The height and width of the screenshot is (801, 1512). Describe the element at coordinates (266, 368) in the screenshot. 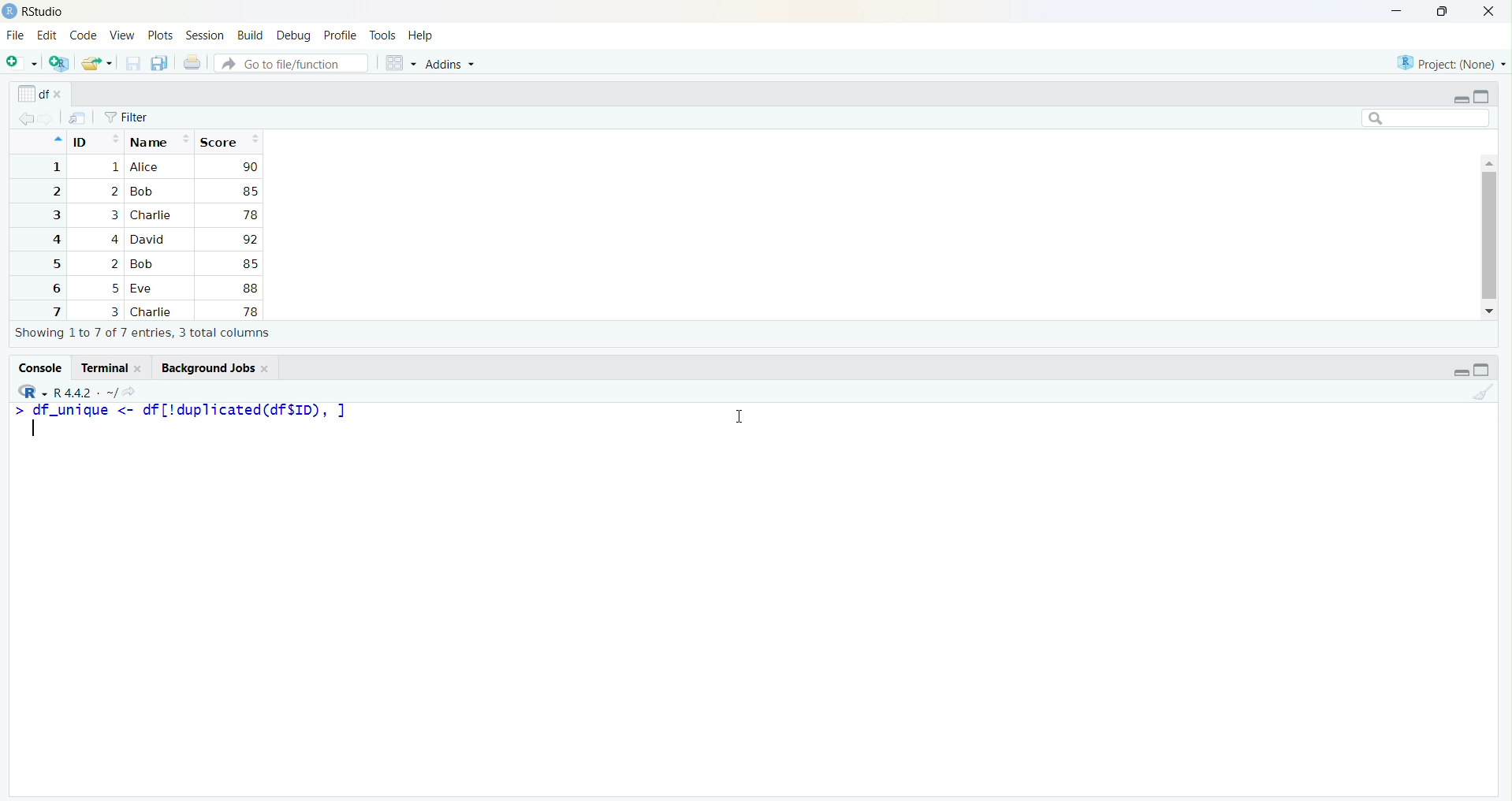

I see `close` at that location.